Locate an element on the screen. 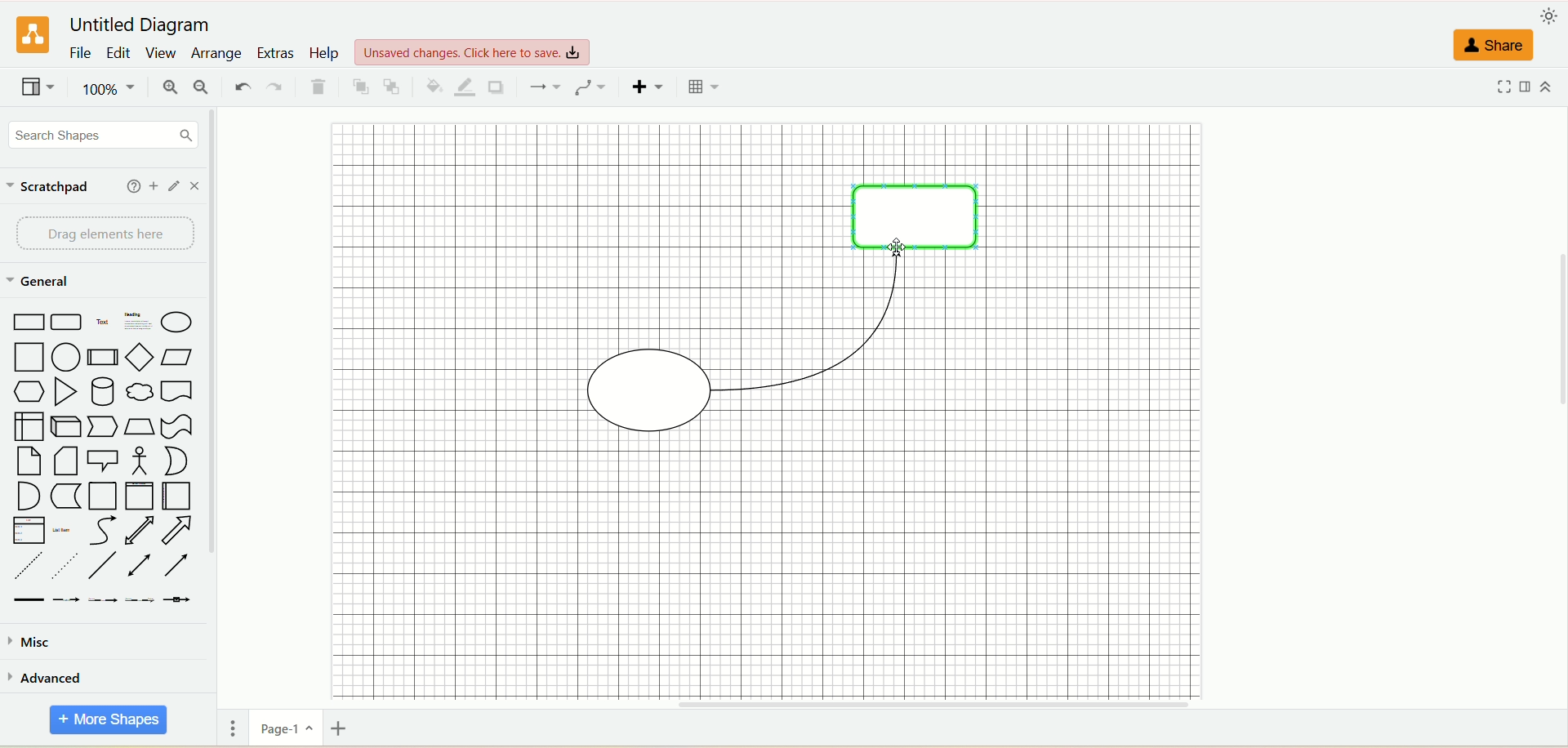 This screenshot has width=1568, height=748. to back is located at coordinates (395, 87).